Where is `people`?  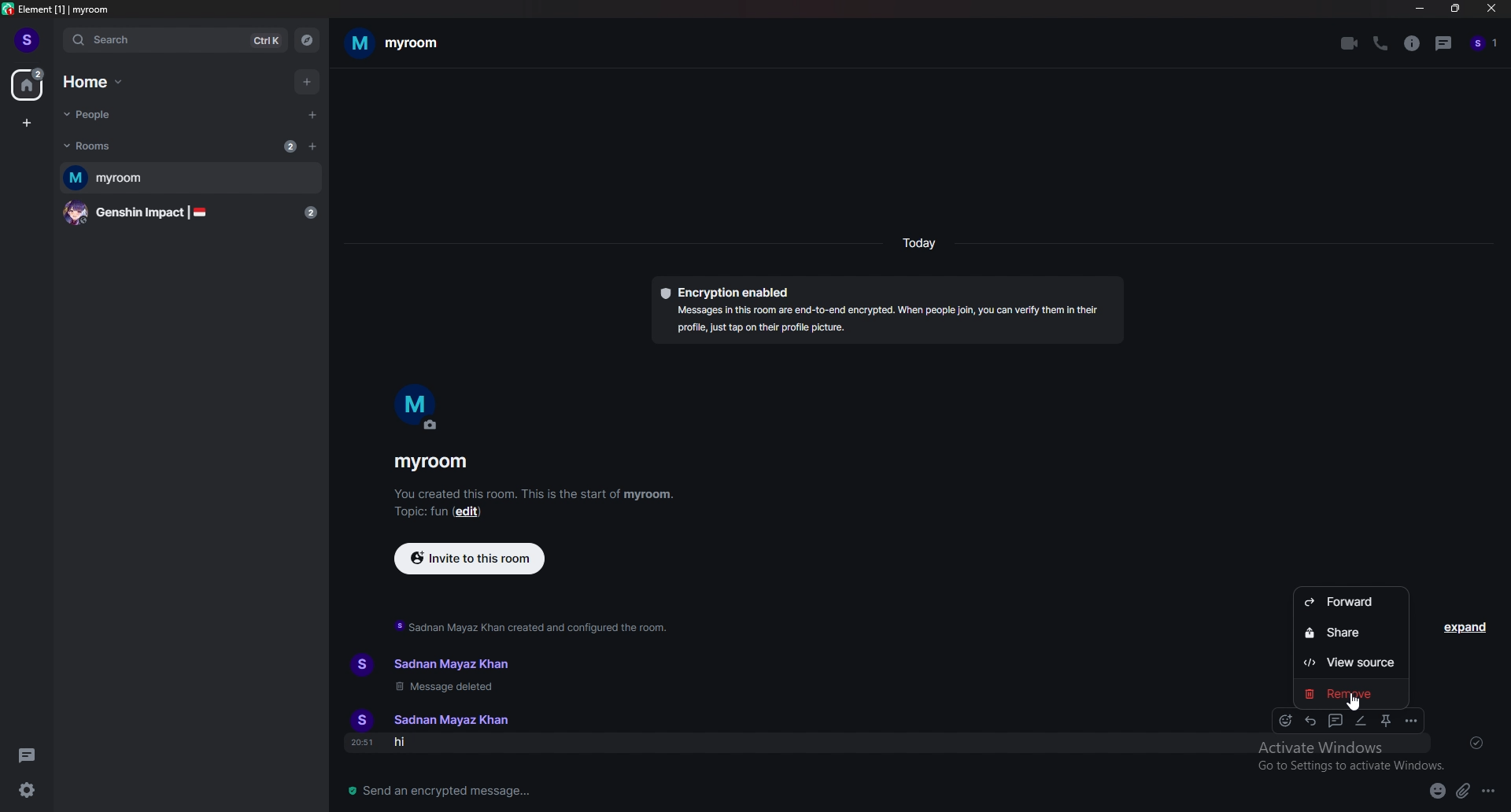
people is located at coordinates (1485, 44).